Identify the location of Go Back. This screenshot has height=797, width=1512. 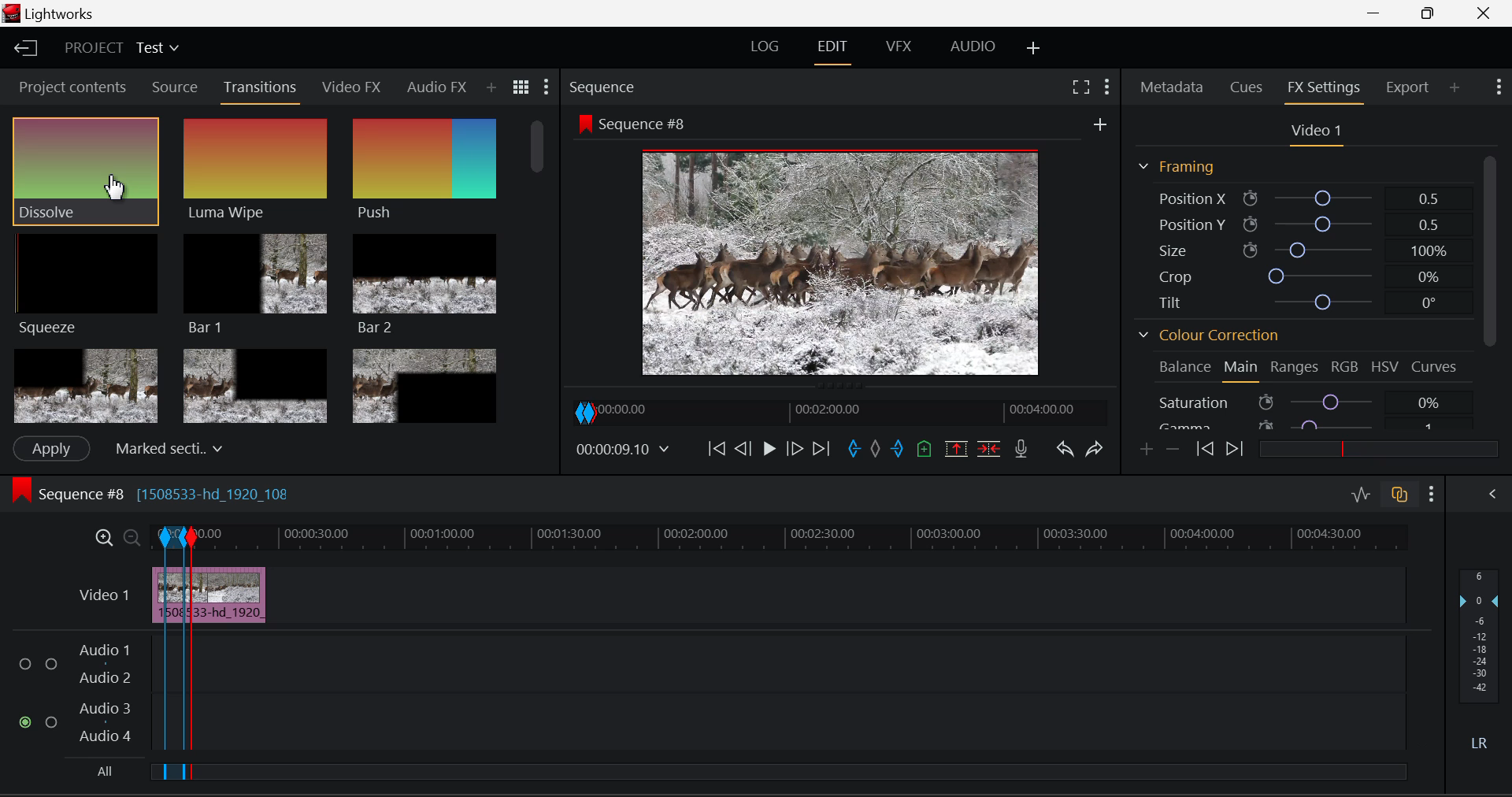
(743, 450).